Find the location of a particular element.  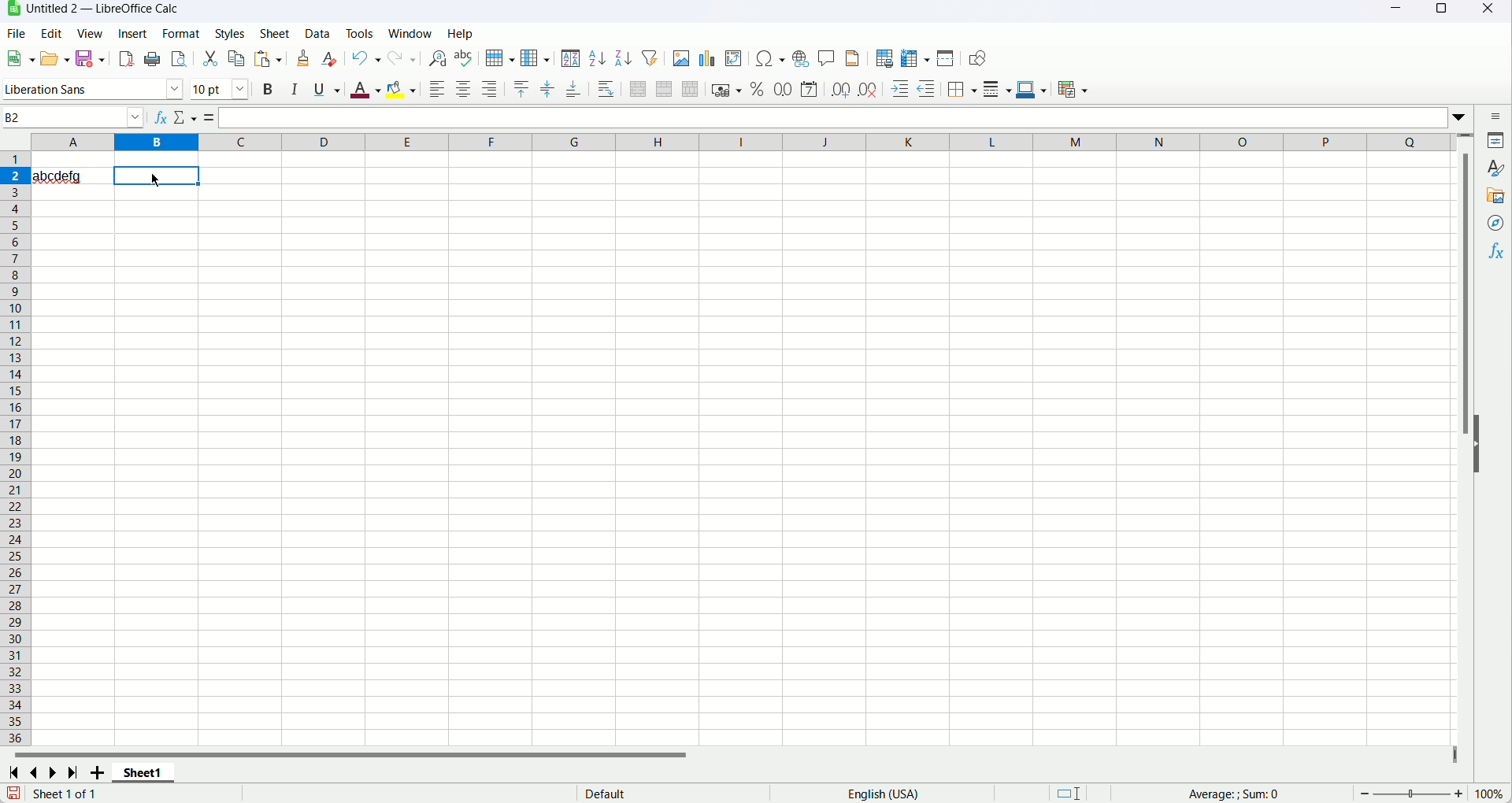

print is located at coordinates (151, 59).